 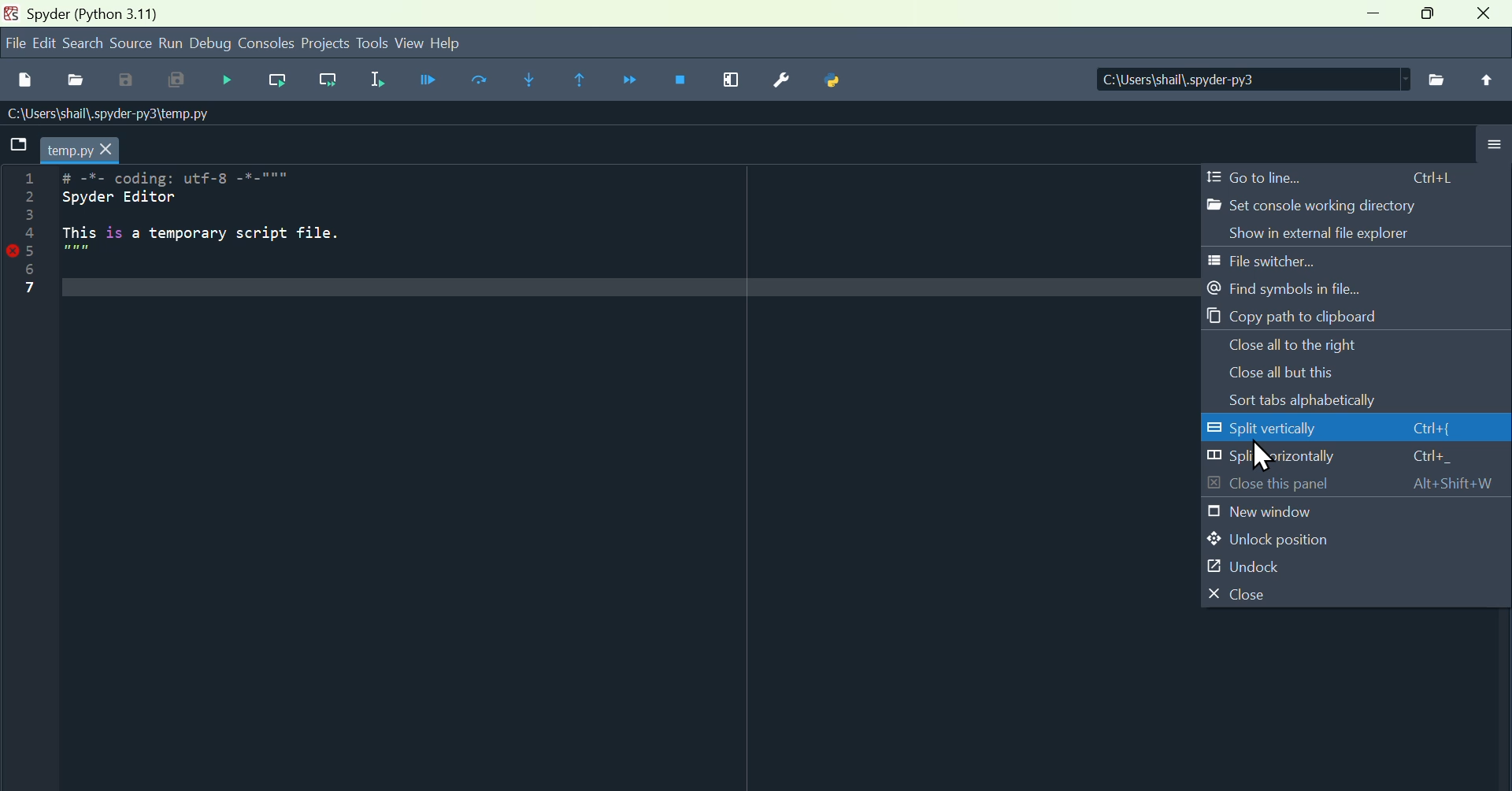 I want to click on Close all to the right, so click(x=1348, y=348).